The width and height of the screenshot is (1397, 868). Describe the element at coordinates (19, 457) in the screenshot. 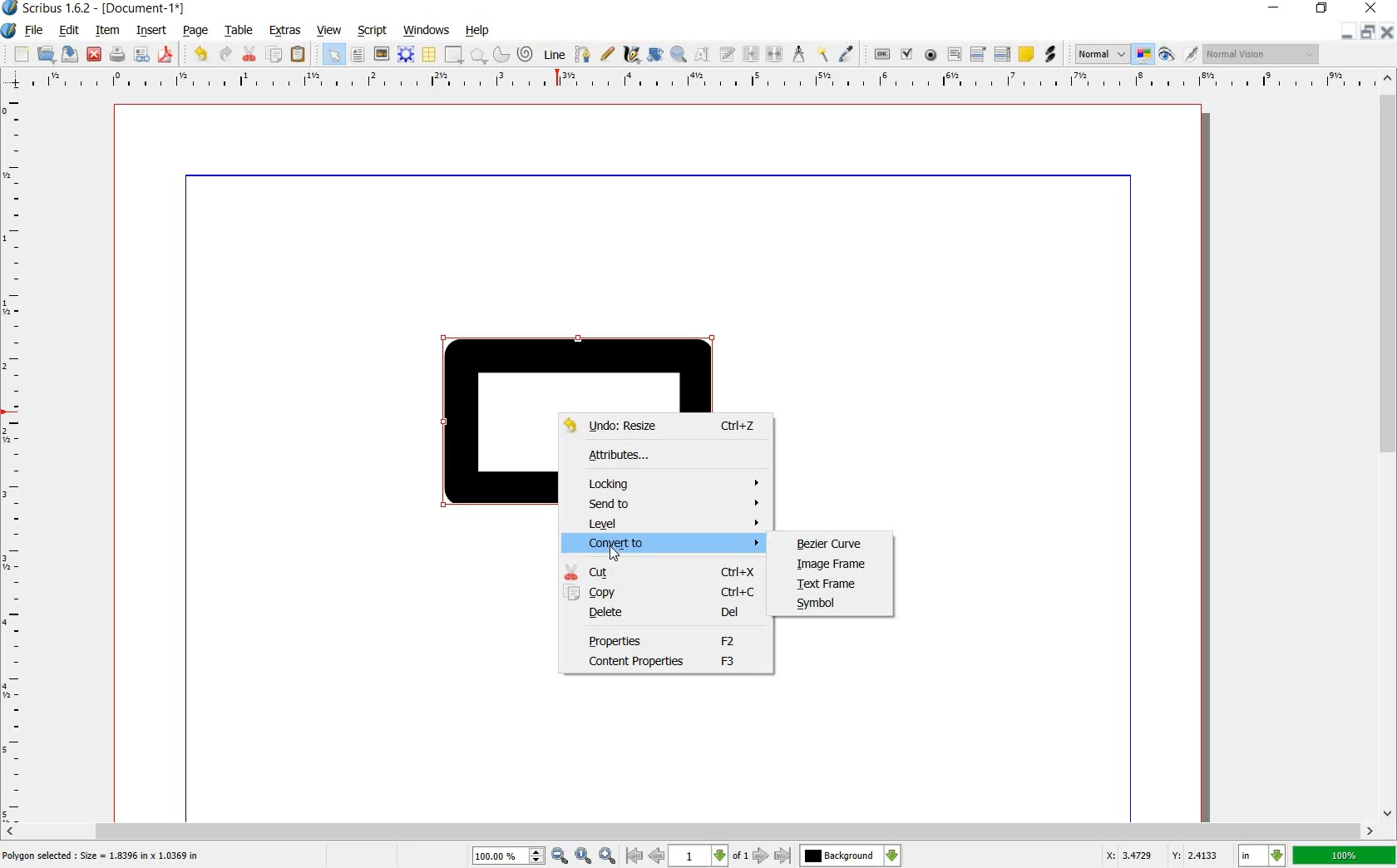

I see `ruler` at that location.